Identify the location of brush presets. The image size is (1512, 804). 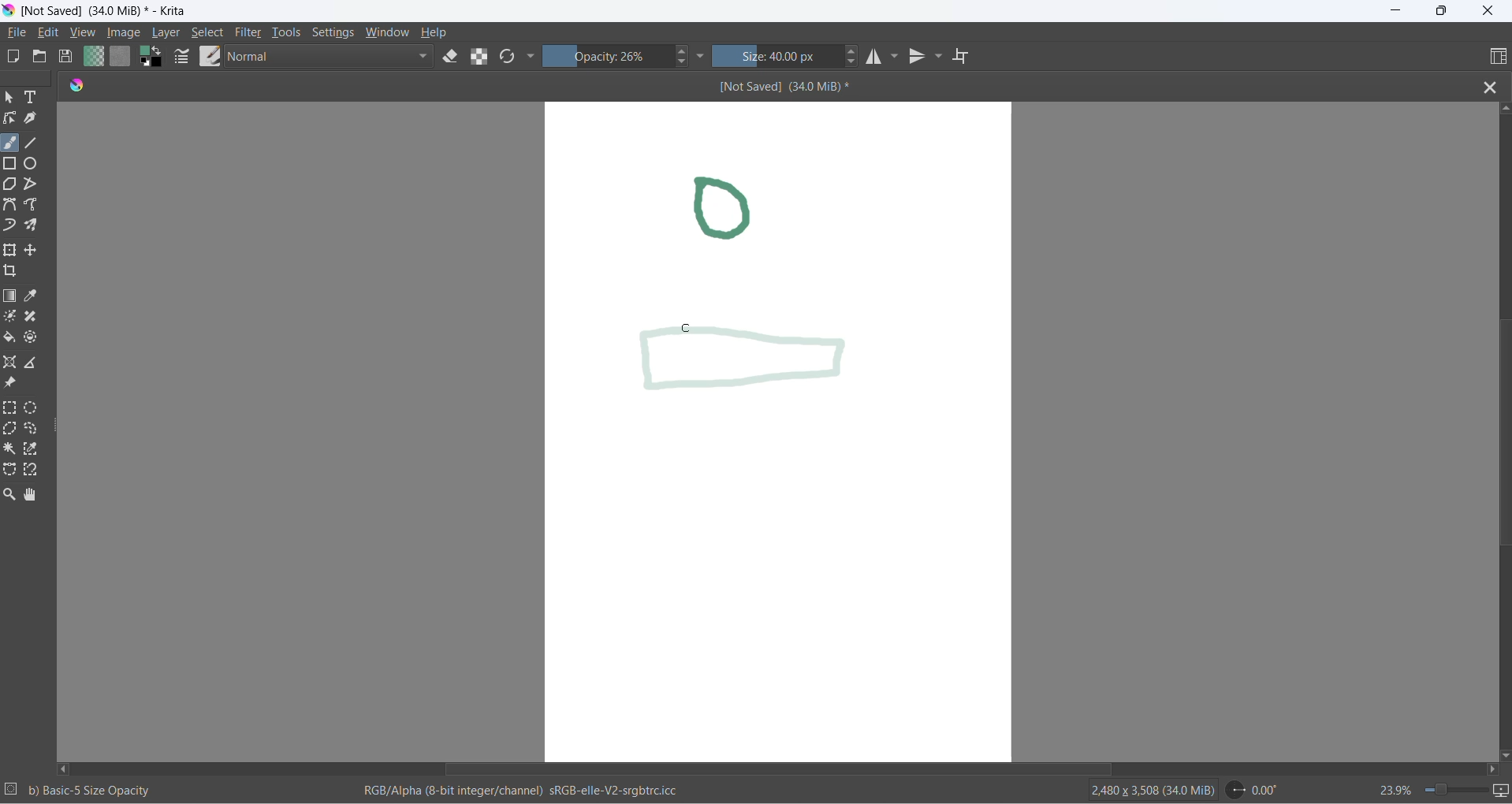
(207, 58).